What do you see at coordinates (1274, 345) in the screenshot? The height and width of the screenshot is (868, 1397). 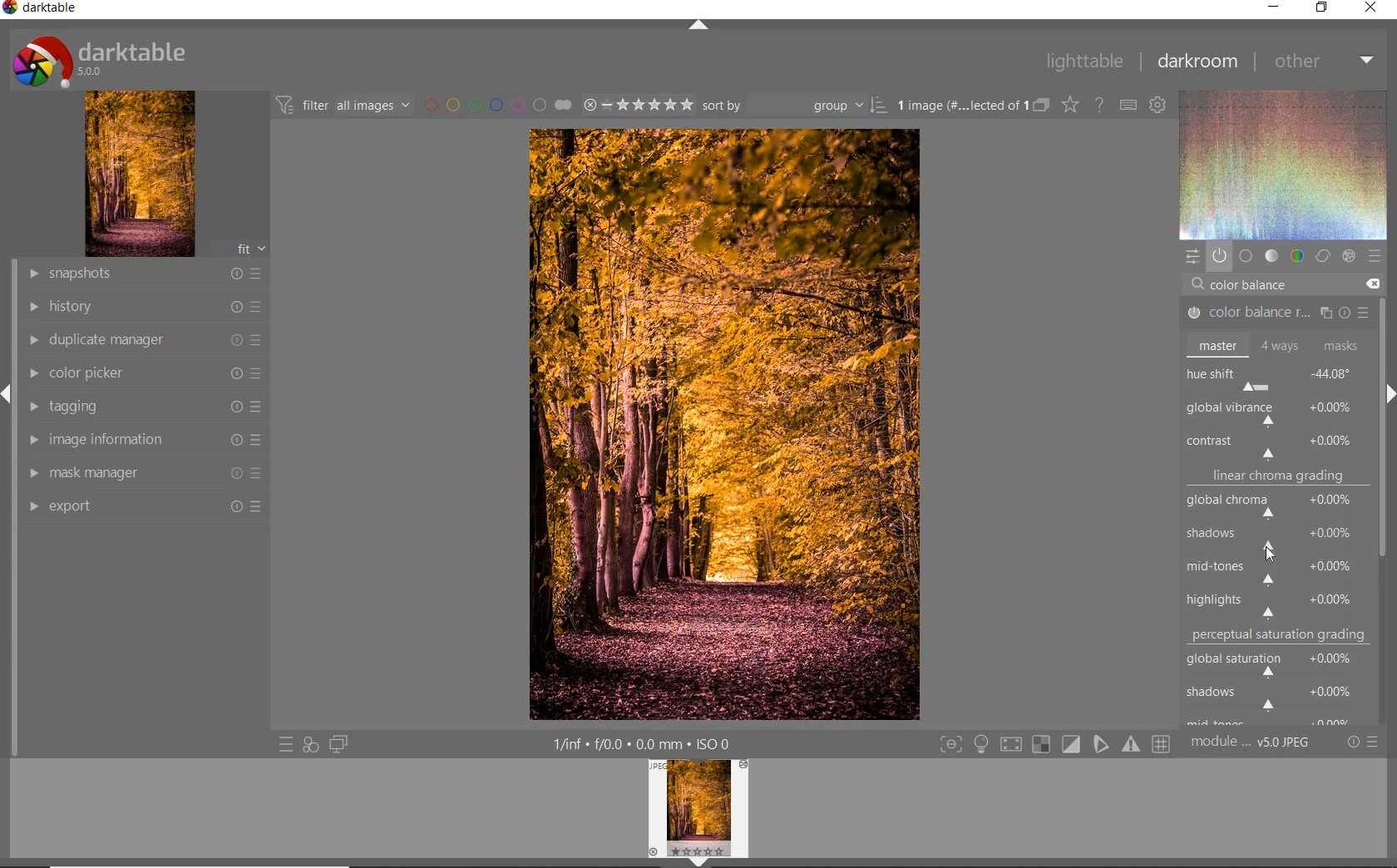 I see `master` at bounding box center [1274, 345].